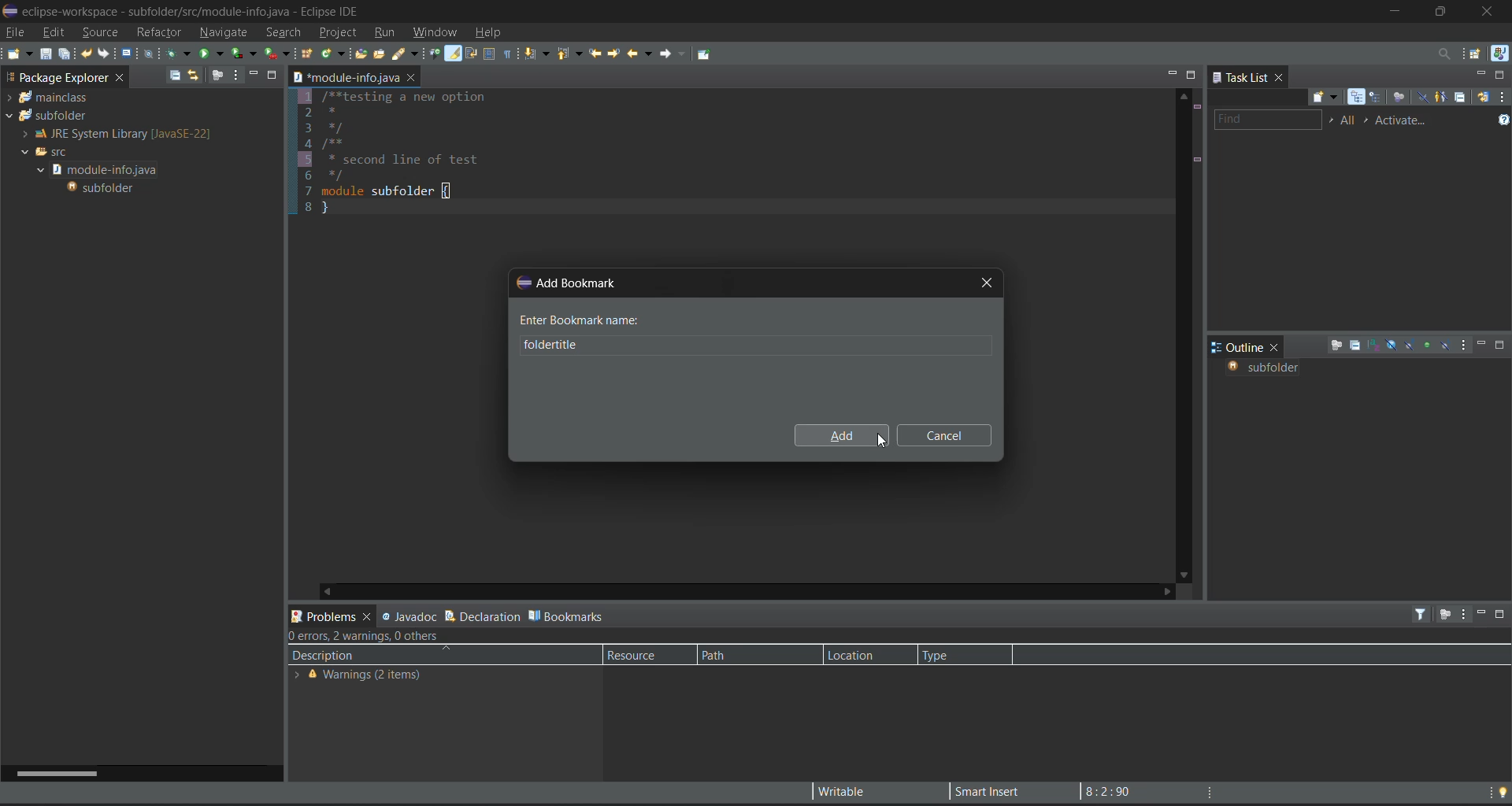 This screenshot has height=806, width=1512. Describe the element at coordinates (472, 53) in the screenshot. I see `toggle word wrap` at that location.